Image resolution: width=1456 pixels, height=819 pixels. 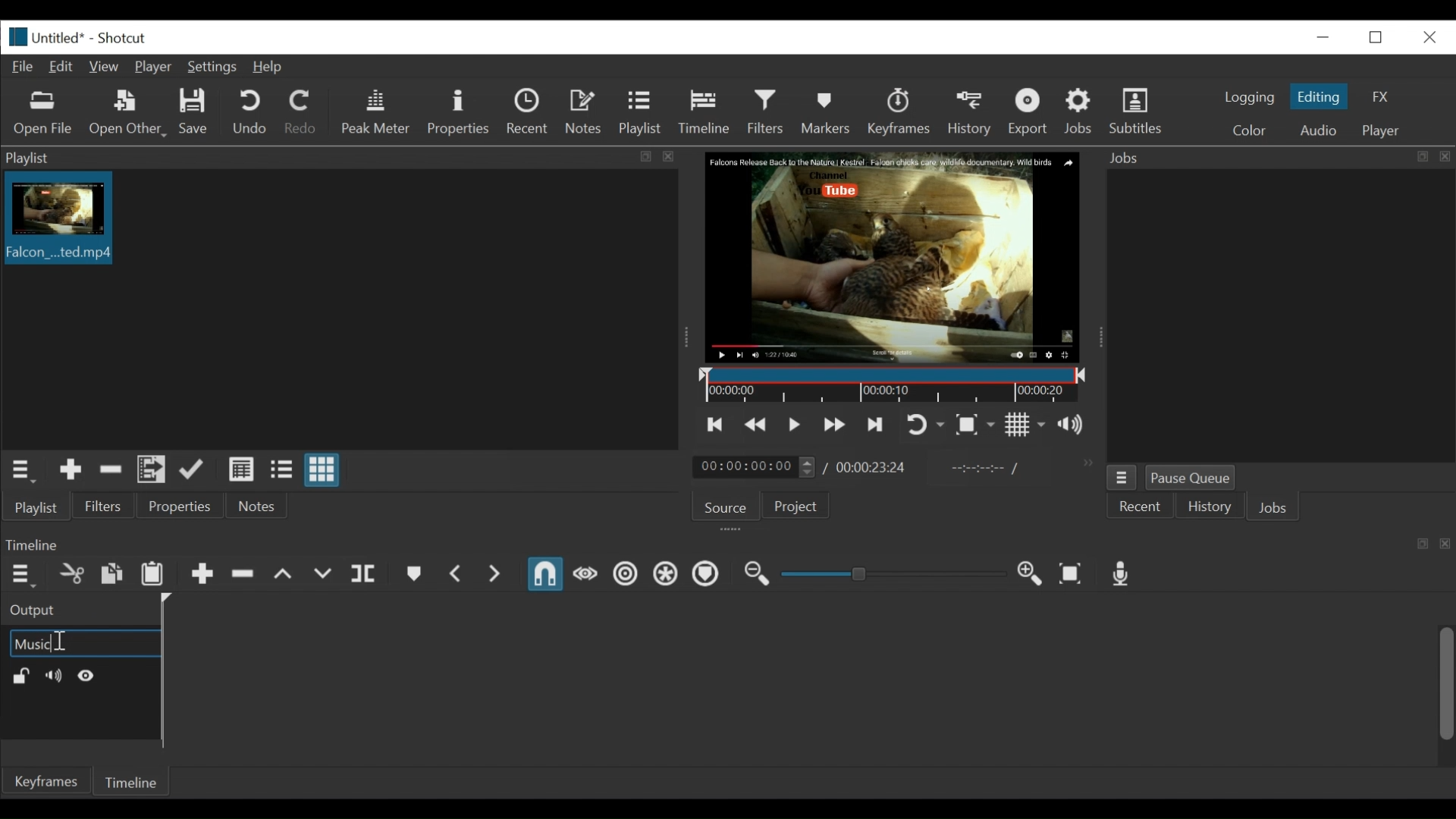 I want to click on Jobs menu, so click(x=1123, y=478).